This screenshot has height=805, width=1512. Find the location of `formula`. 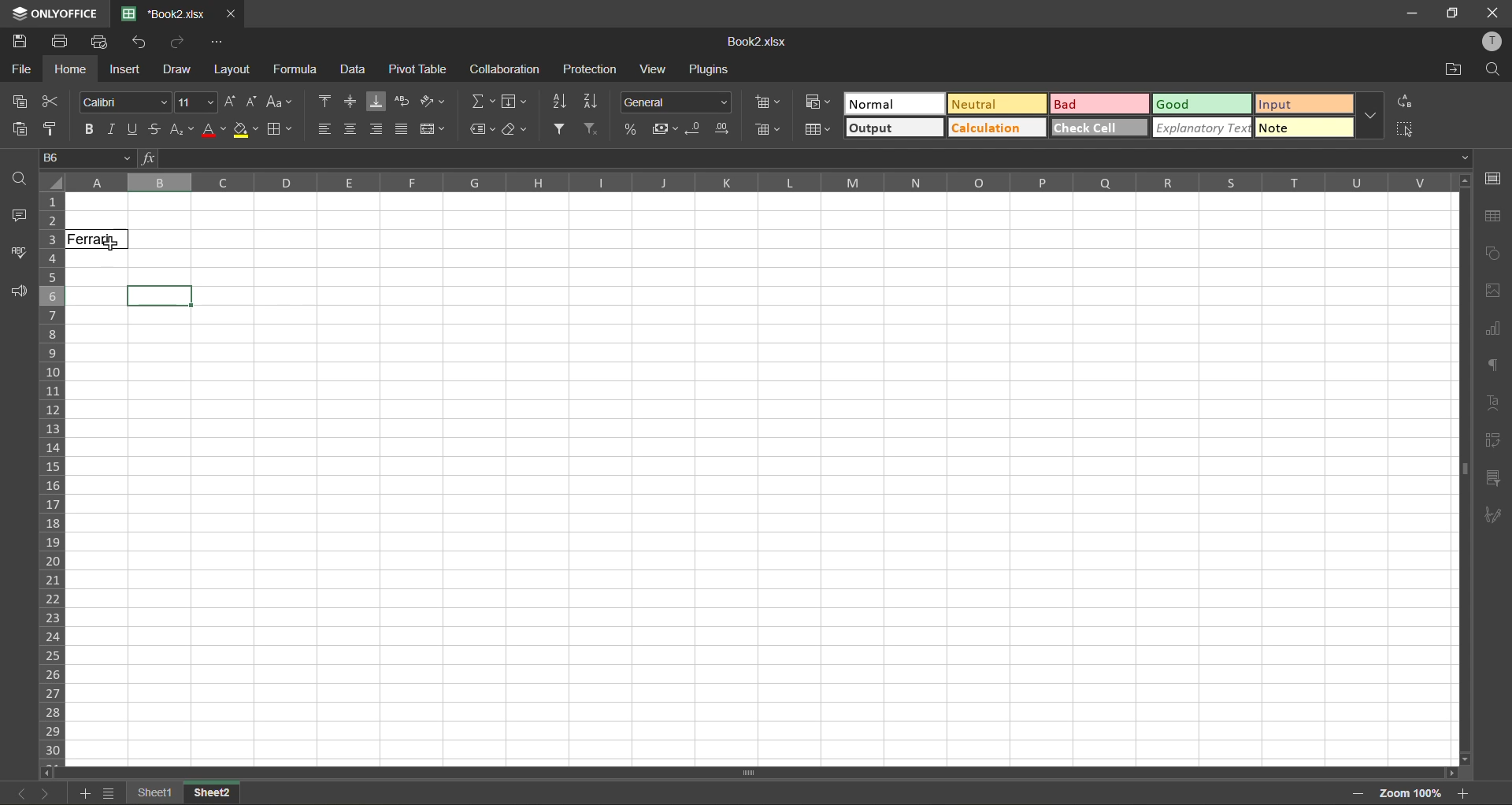

formula is located at coordinates (299, 69).